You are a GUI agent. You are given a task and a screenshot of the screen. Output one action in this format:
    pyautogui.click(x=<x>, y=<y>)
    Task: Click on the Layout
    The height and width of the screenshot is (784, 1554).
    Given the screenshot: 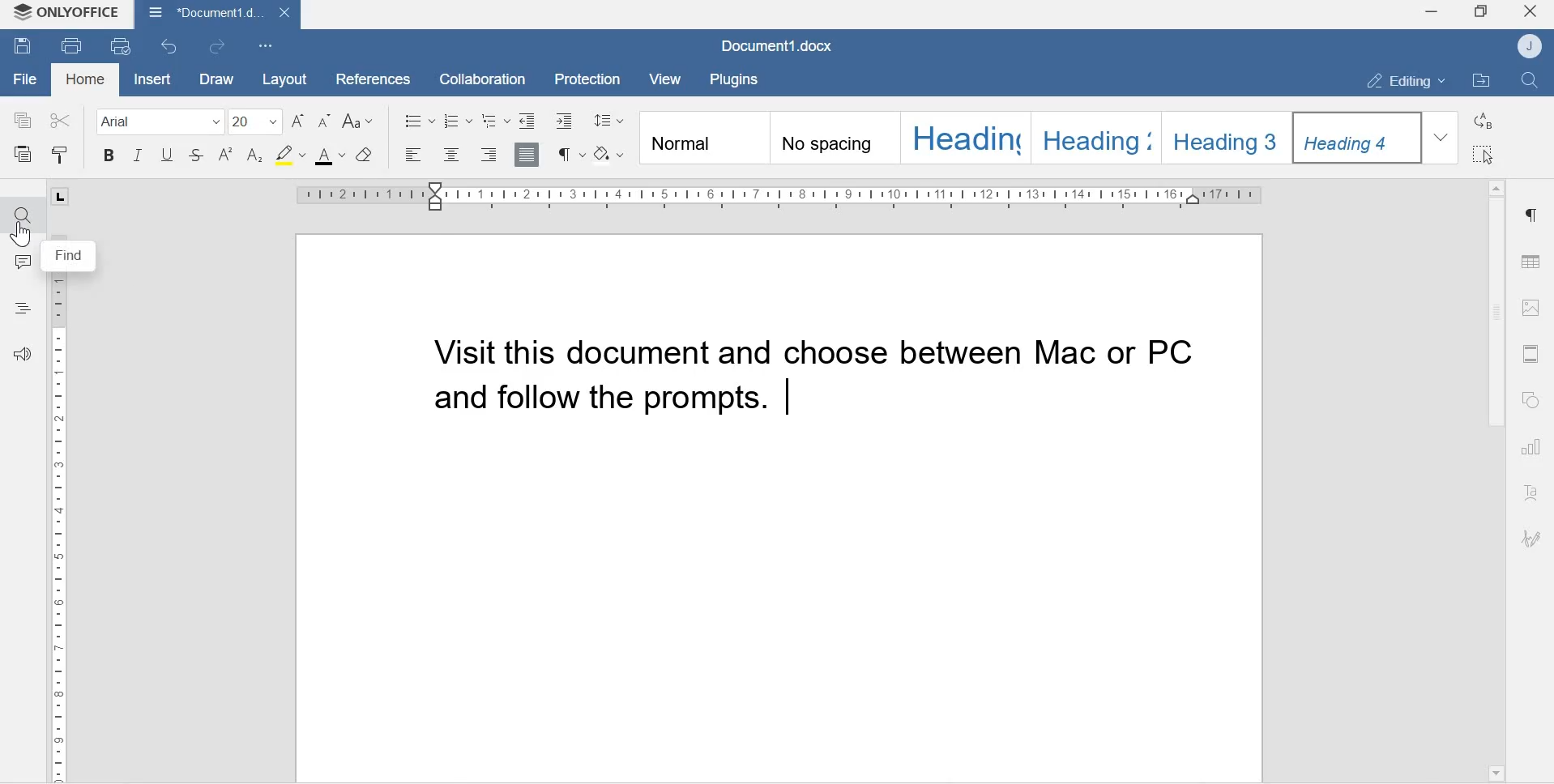 What is the action you would take?
    pyautogui.click(x=283, y=79)
    